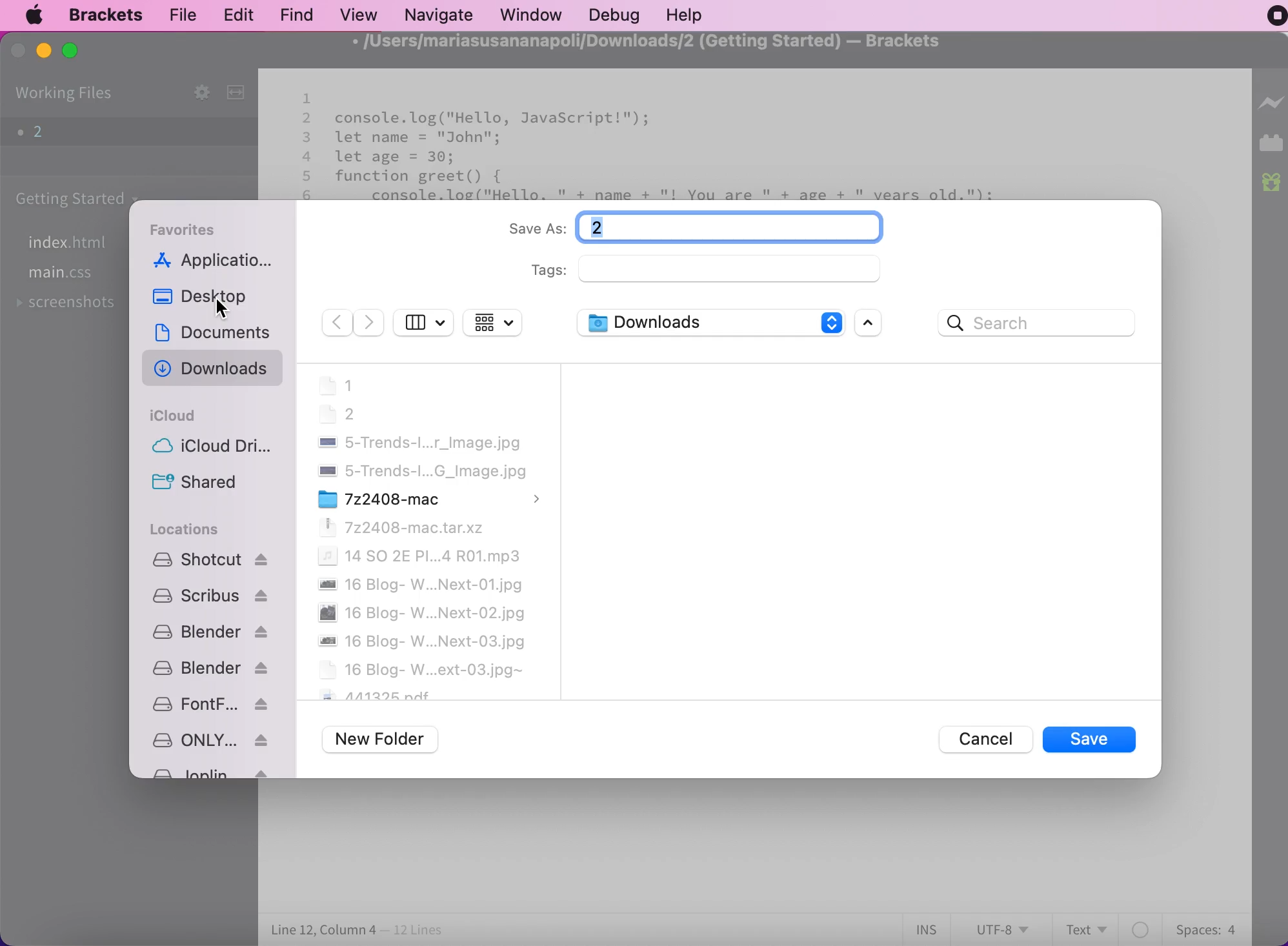 This screenshot has width=1288, height=946. Describe the element at coordinates (871, 324) in the screenshot. I see `scroll bar` at that location.